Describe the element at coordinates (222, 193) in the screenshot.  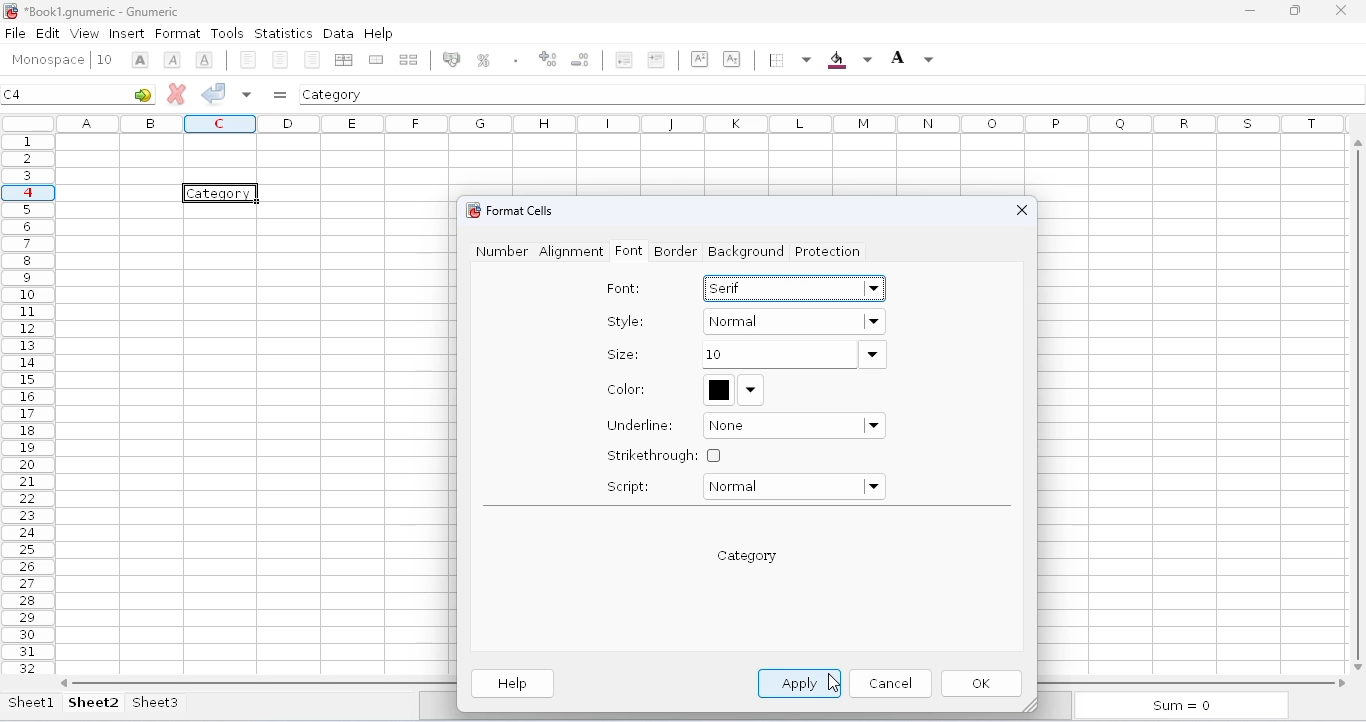
I see `Category` at that location.